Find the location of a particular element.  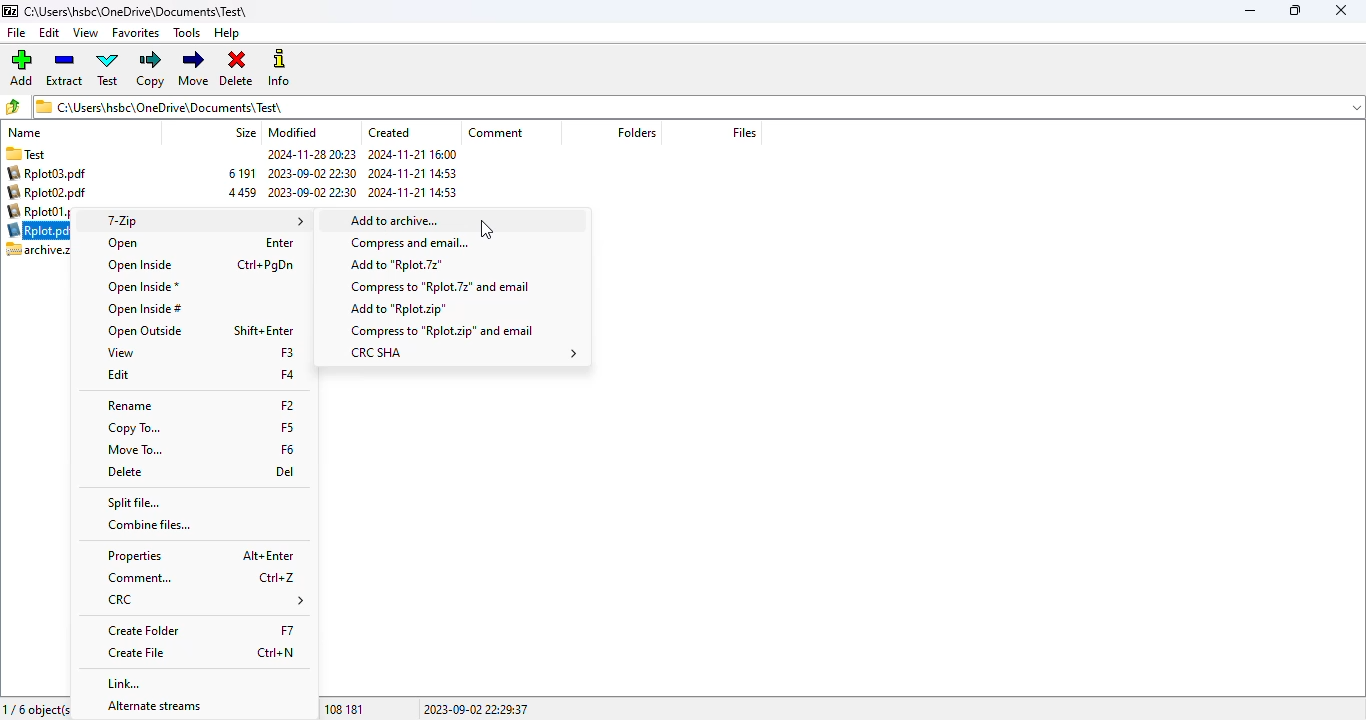

shortcut for properties is located at coordinates (268, 556).